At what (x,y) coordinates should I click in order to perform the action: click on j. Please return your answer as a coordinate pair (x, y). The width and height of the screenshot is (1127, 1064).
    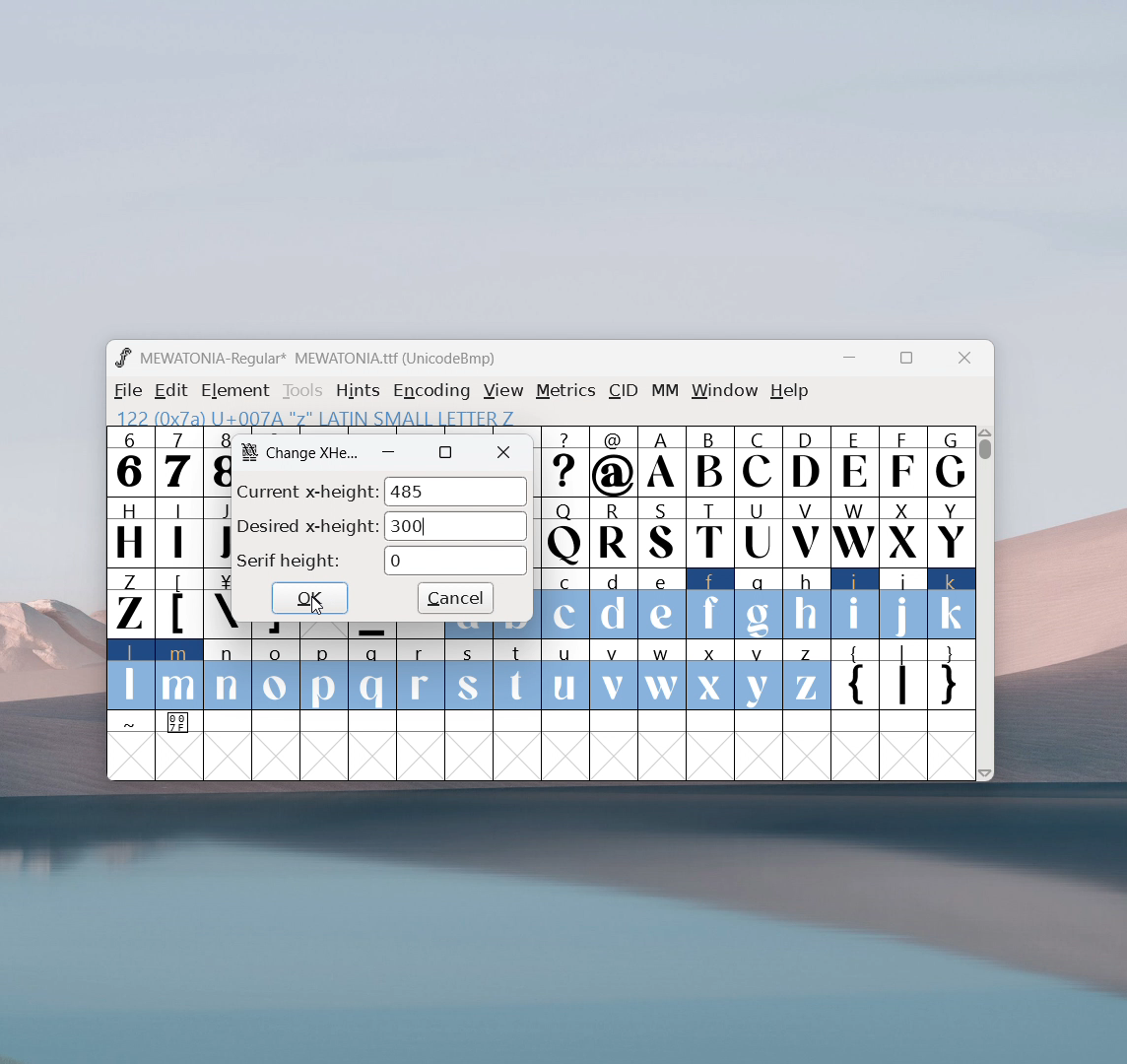
    Looking at the image, I should click on (904, 604).